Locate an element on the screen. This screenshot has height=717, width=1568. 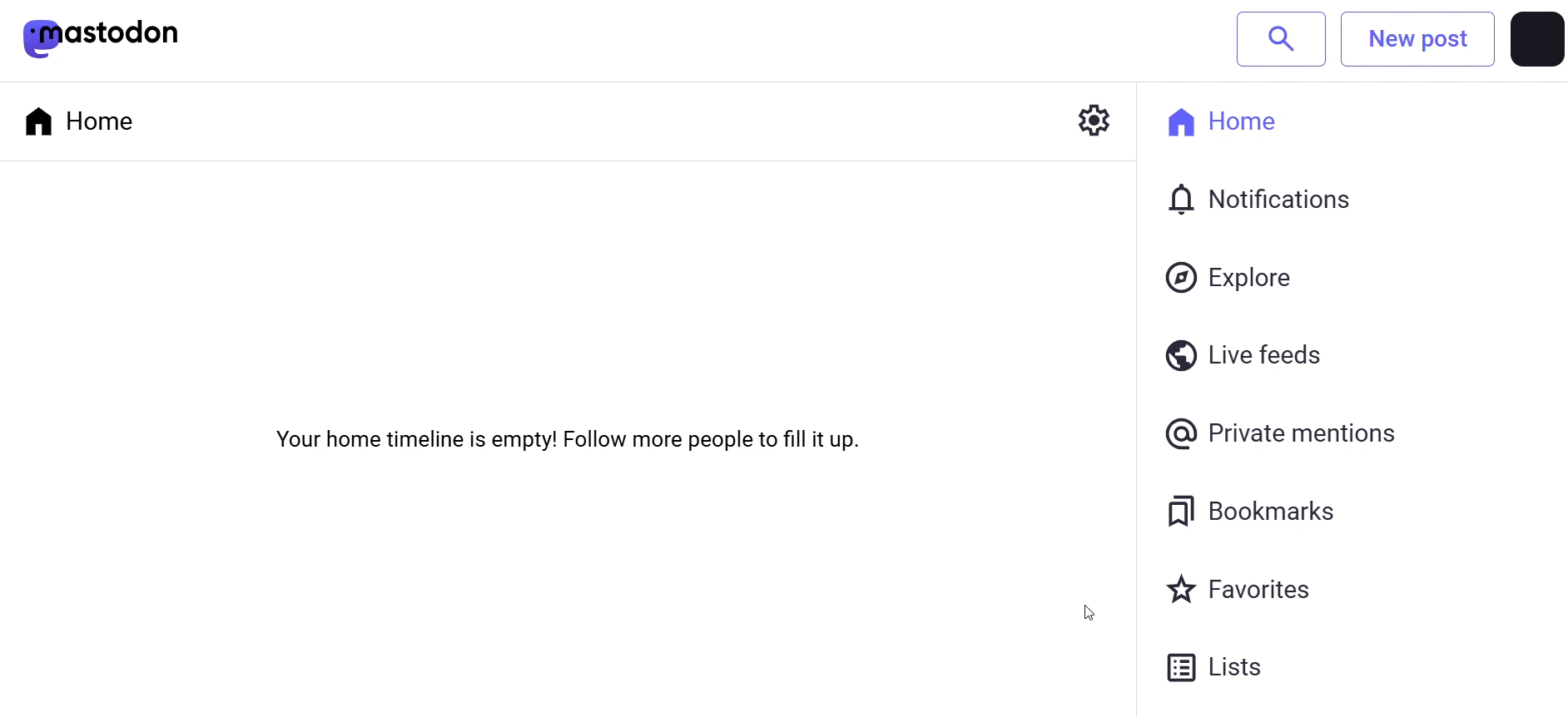
notification is located at coordinates (1253, 196).